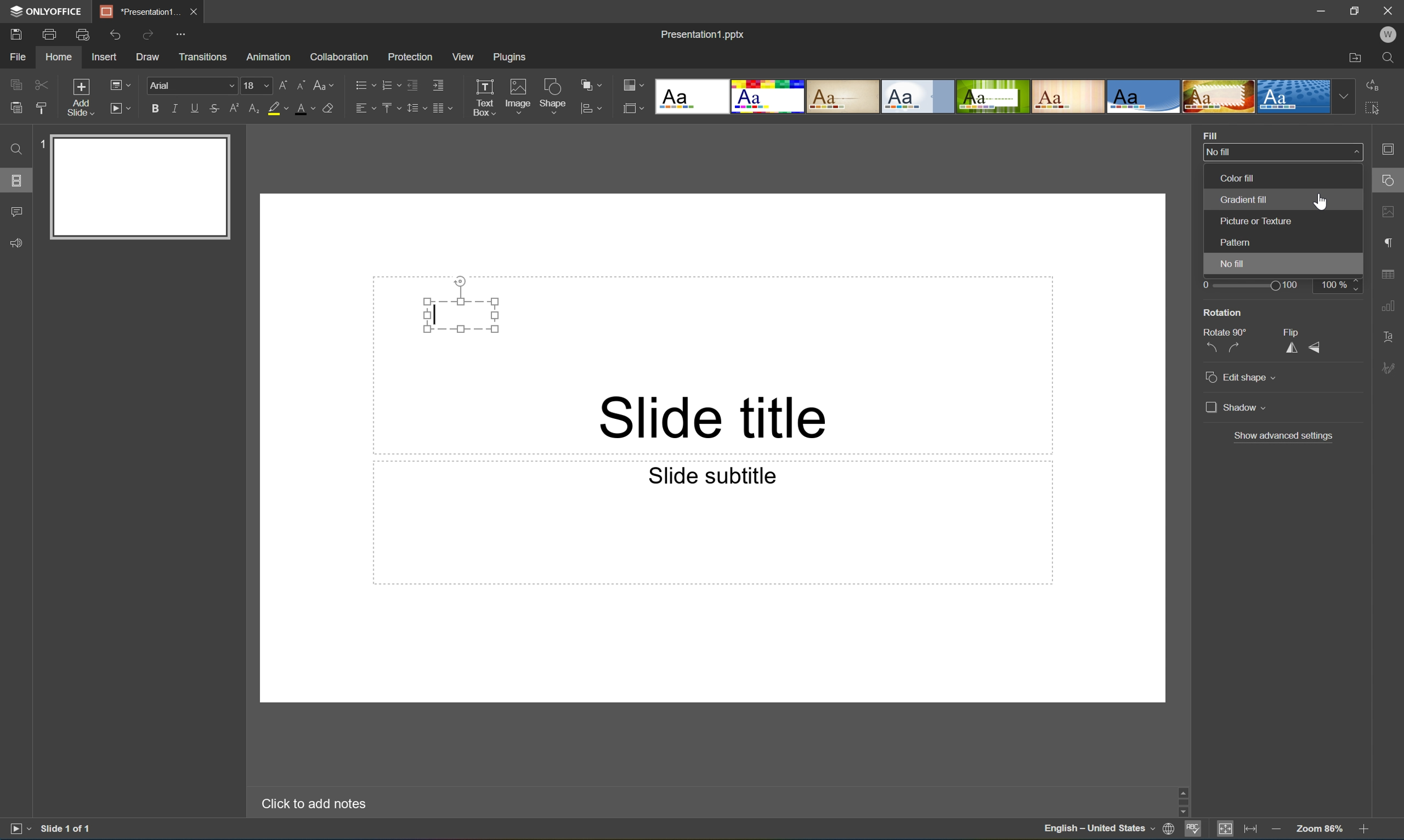 The height and width of the screenshot is (840, 1404). I want to click on Image, so click(519, 99).